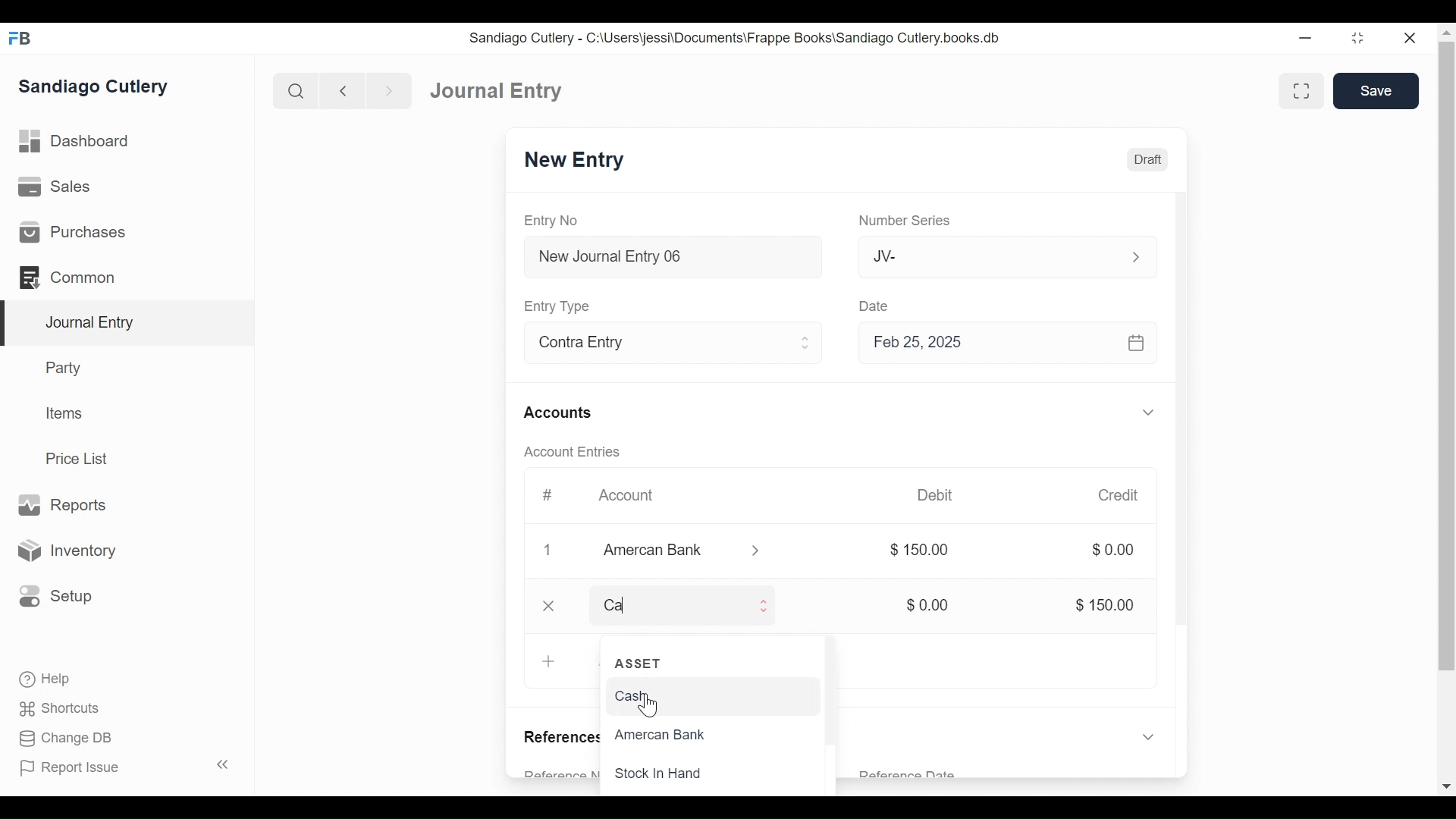 This screenshot has width=1456, height=819. I want to click on Reports, so click(61, 506).